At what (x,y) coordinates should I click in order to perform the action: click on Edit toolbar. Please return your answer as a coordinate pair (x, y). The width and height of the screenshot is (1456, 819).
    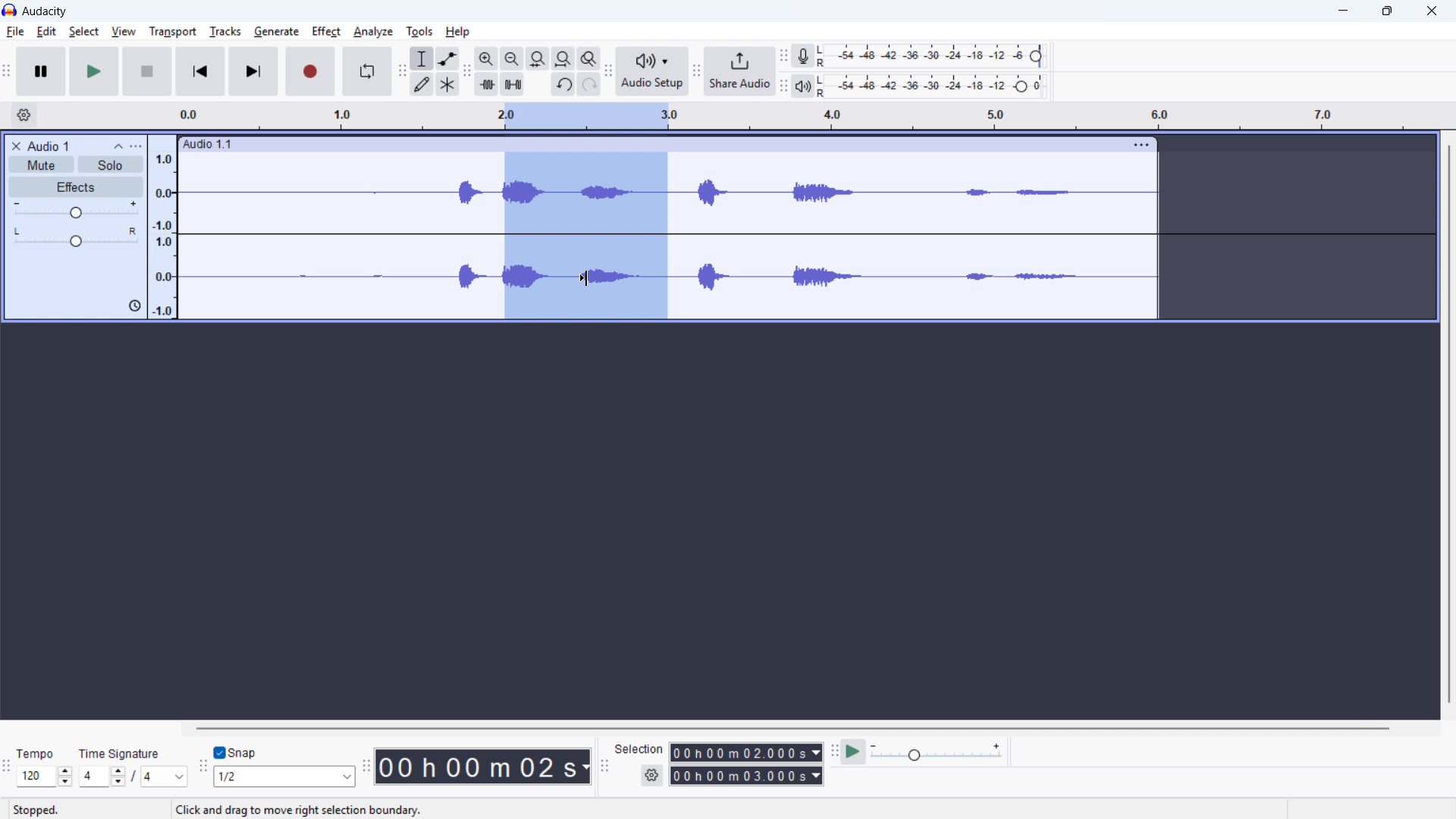
    Looking at the image, I should click on (467, 73).